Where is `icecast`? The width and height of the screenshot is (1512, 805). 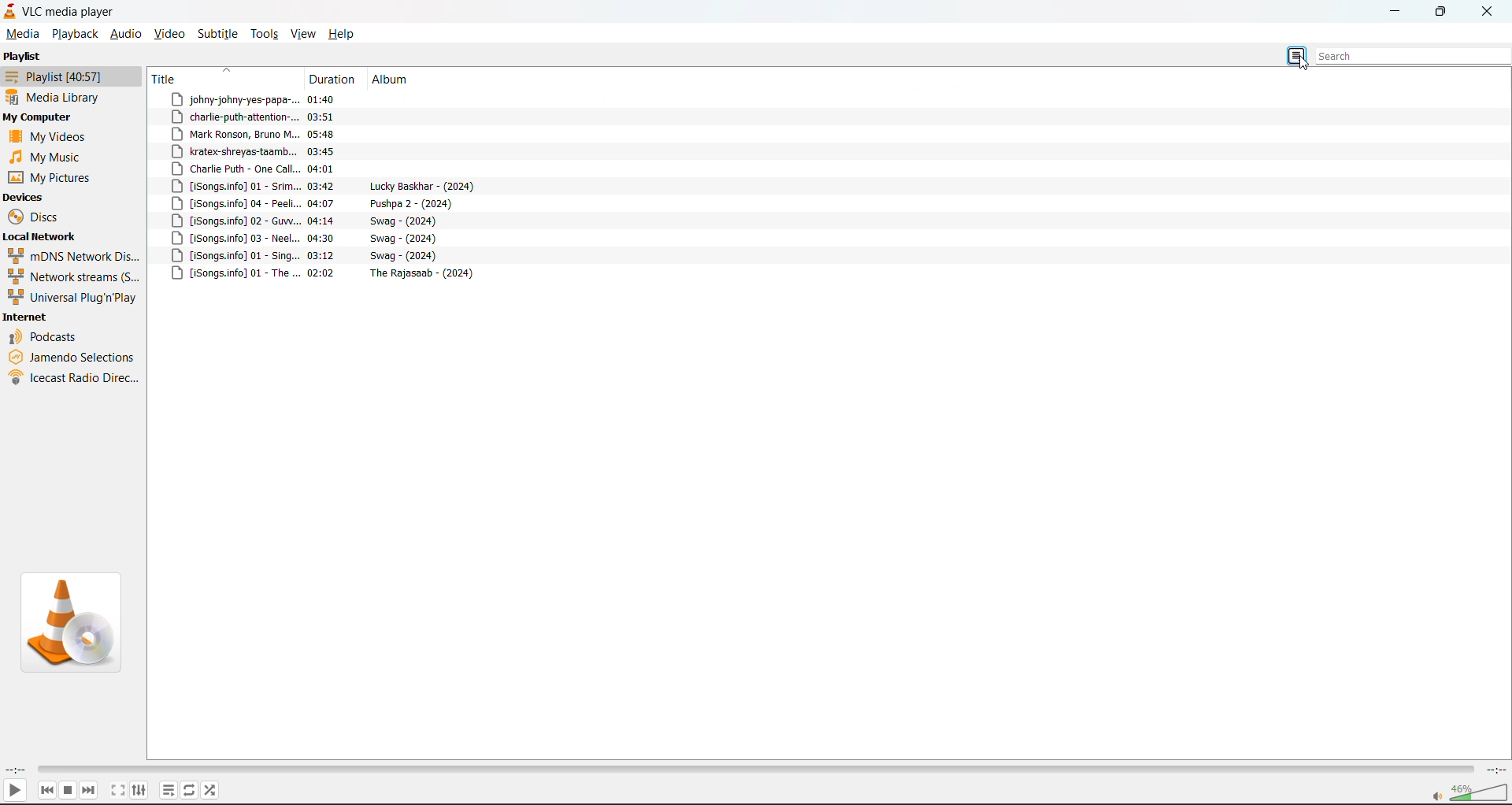
icecast is located at coordinates (74, 377).